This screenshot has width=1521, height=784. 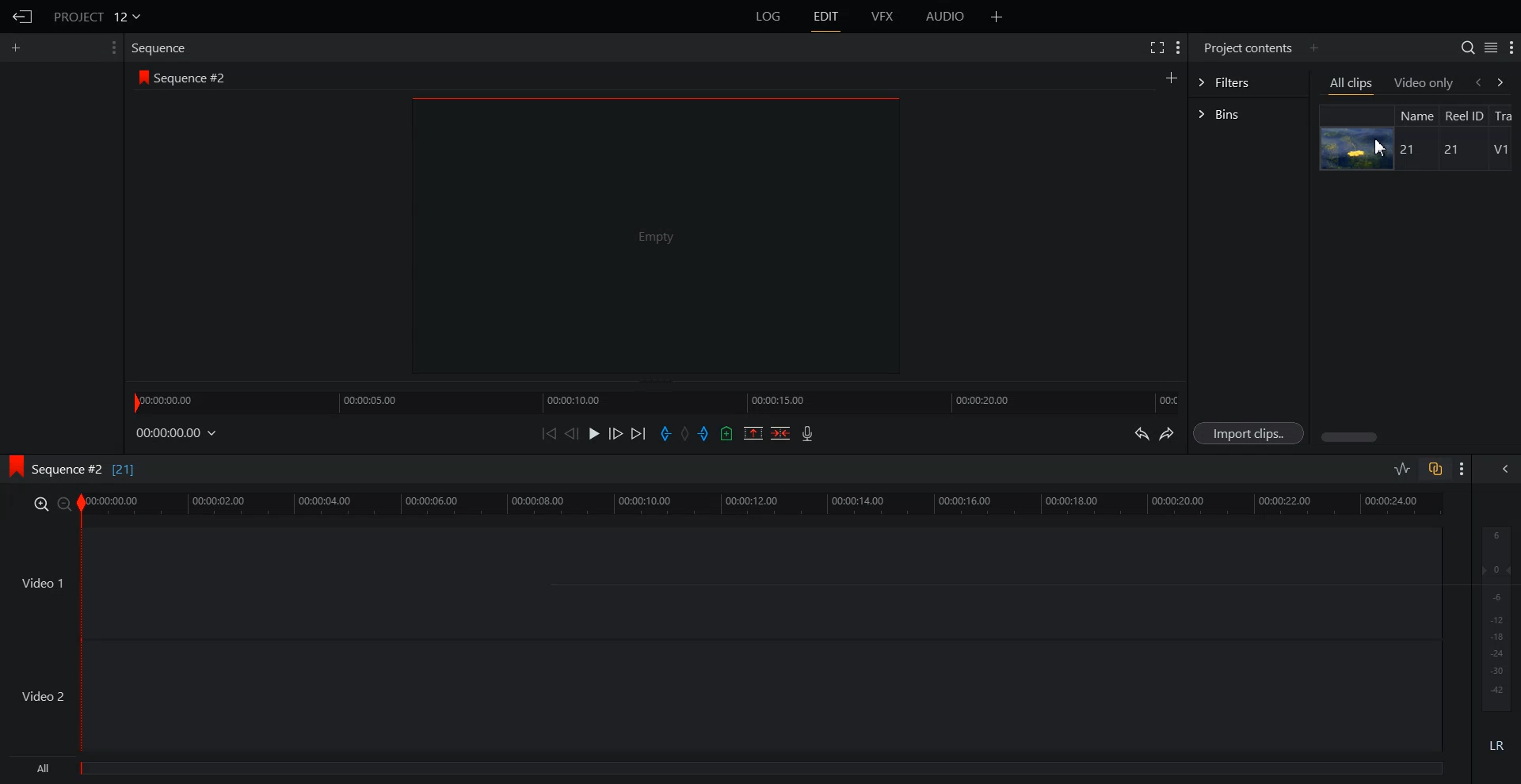 What do you see at coordinates (721, 696) in the screenshot?
I see `Video 2` at bounding box center [721, 696].